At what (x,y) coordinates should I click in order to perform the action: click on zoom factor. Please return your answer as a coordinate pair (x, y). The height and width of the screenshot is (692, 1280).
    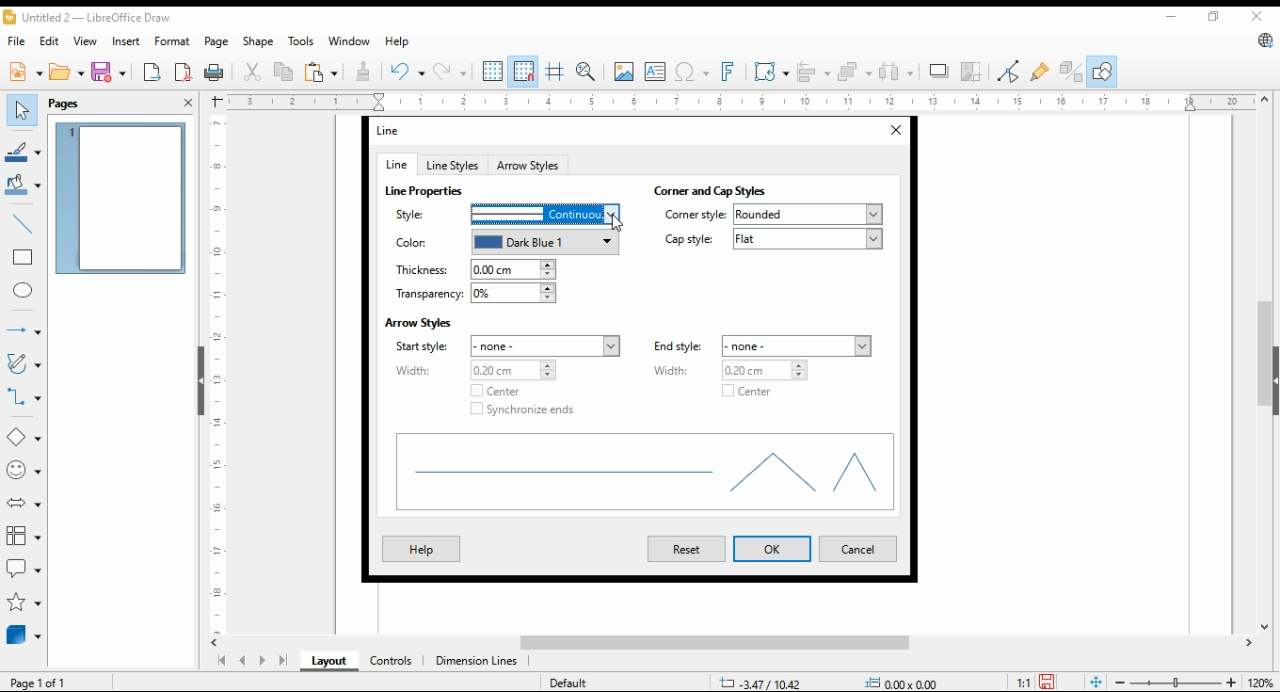
    Looking at the image, I should click on (1262, 683).